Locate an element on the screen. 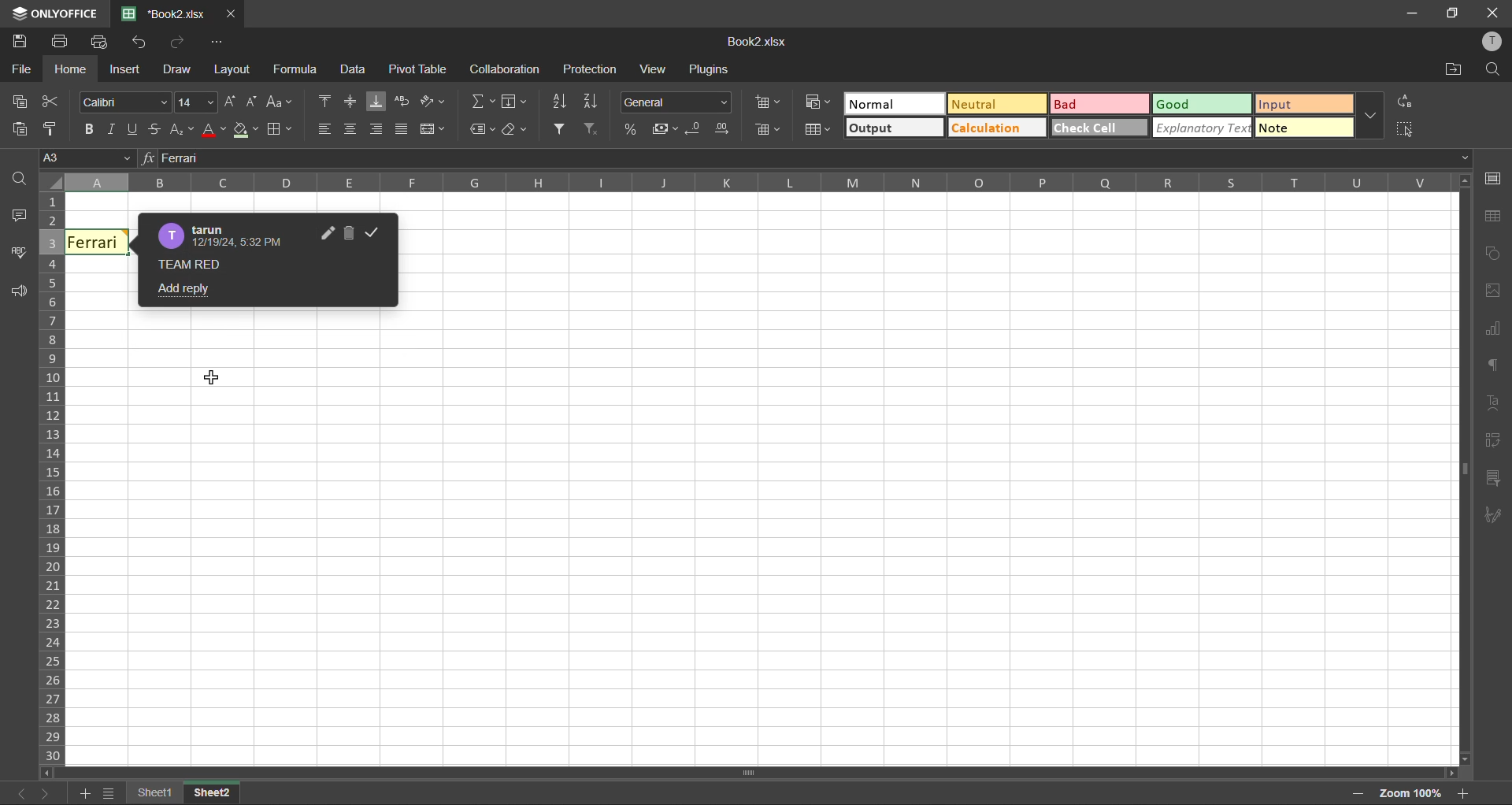  layout is located at coordinates (232, 69).